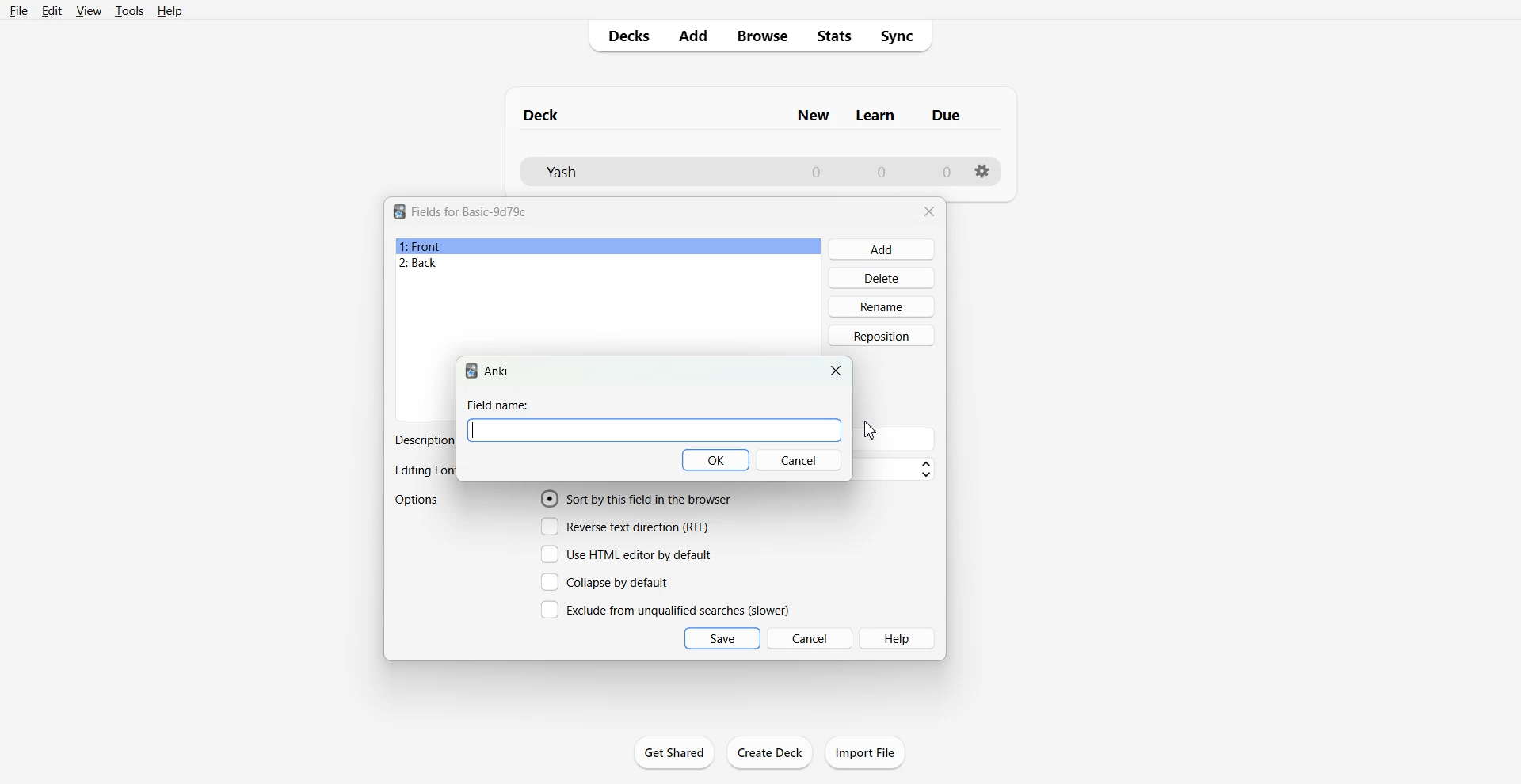 The width and height of the screenshot is (1521, 784). I want to click on Close, so click(929, 211).